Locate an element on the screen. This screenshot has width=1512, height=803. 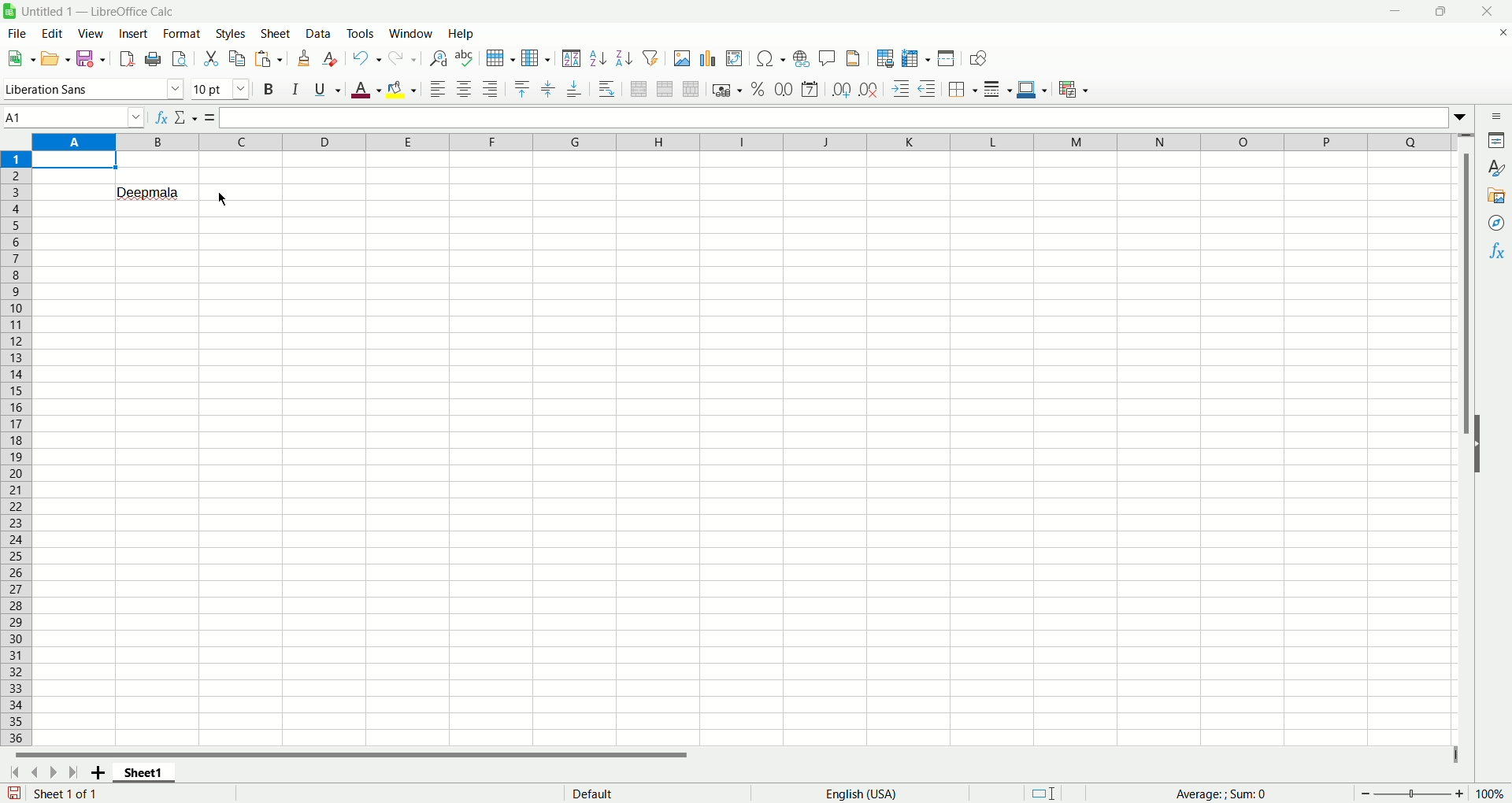
Export as pdf is located at coordinates (127, 58).